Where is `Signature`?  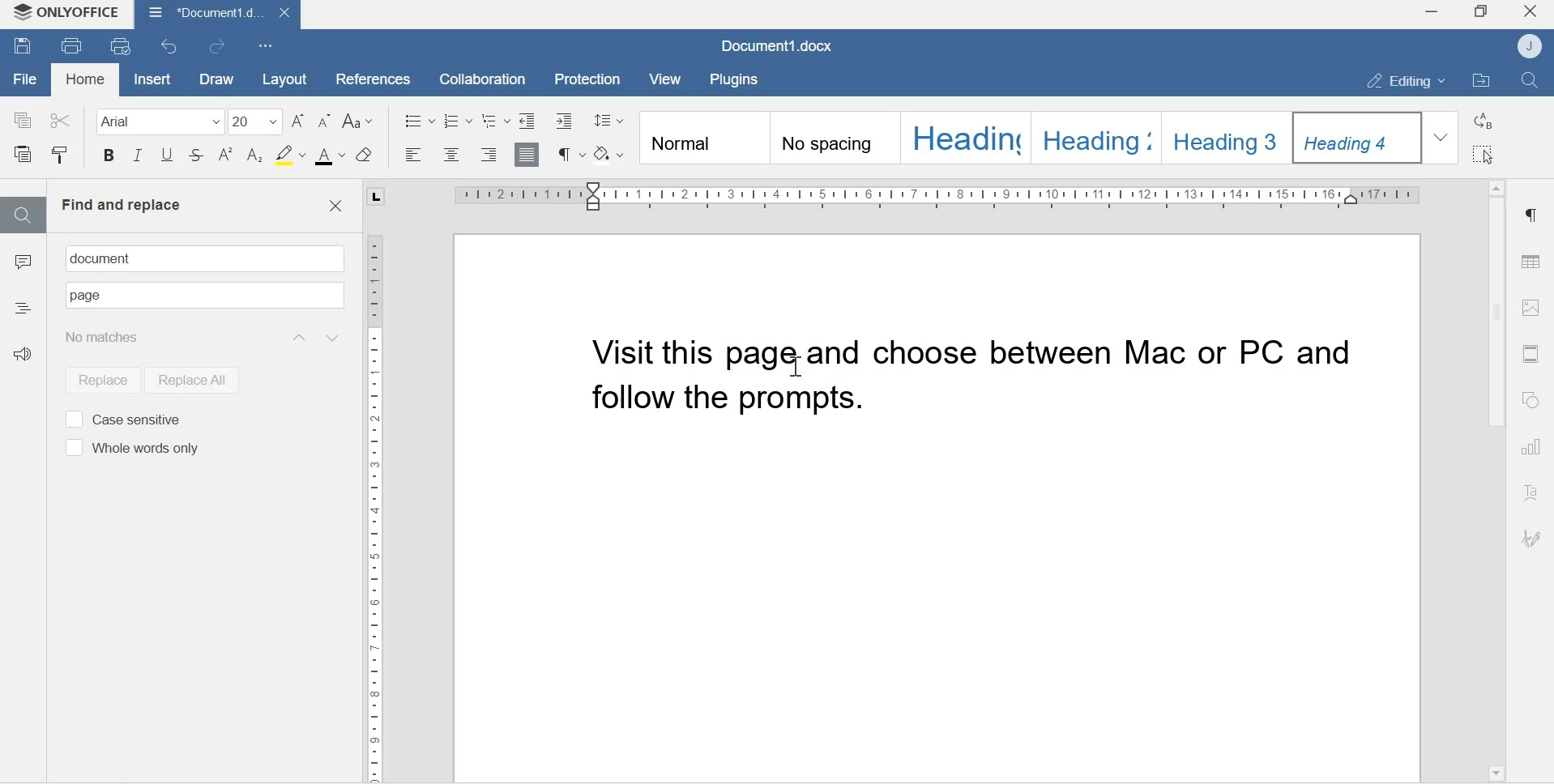 Signature is located at coordinates (1531, 539).